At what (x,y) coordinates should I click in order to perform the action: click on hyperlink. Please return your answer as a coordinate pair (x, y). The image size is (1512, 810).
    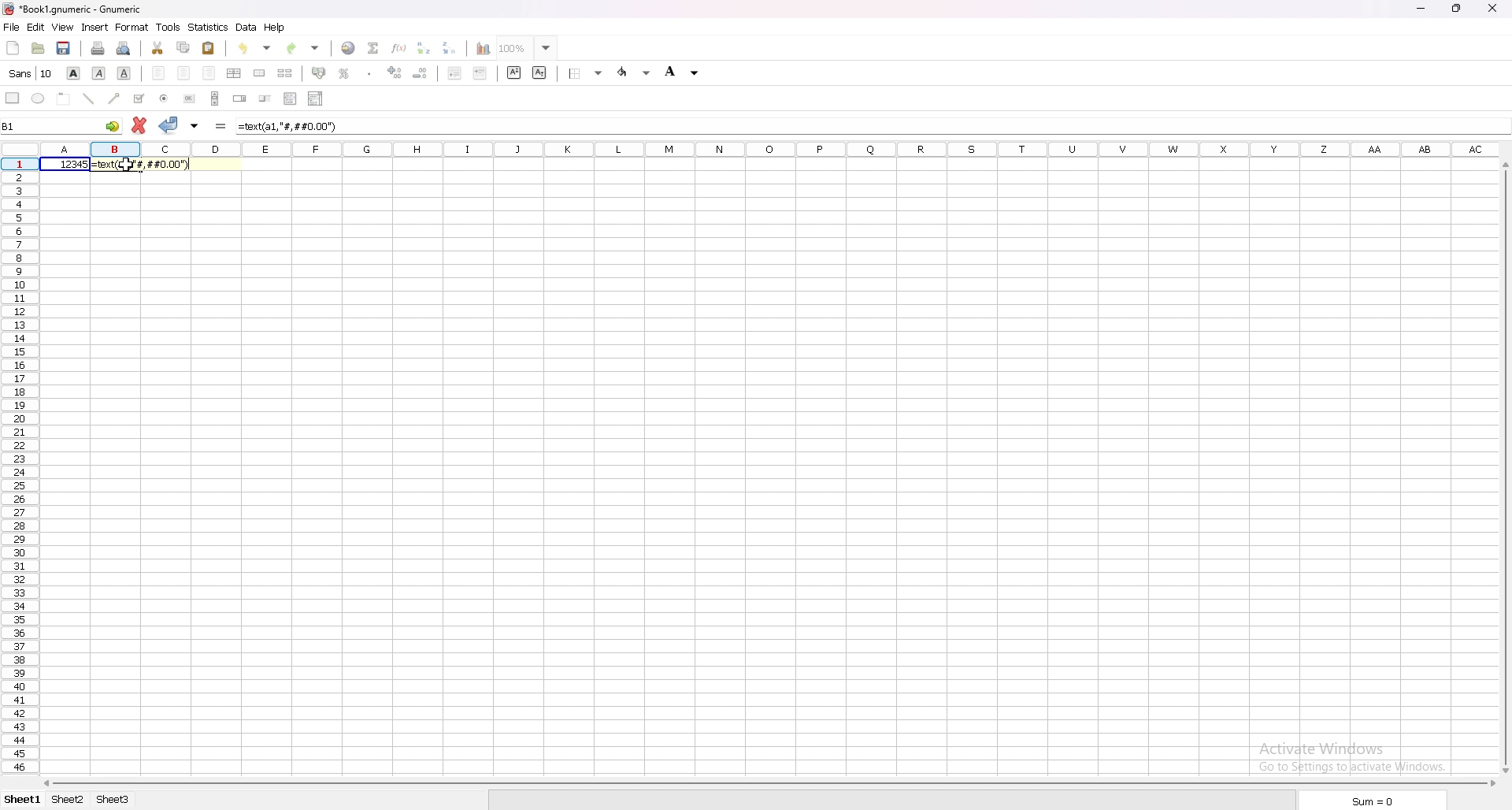
    Looking at the image, I should click on (350, 47).